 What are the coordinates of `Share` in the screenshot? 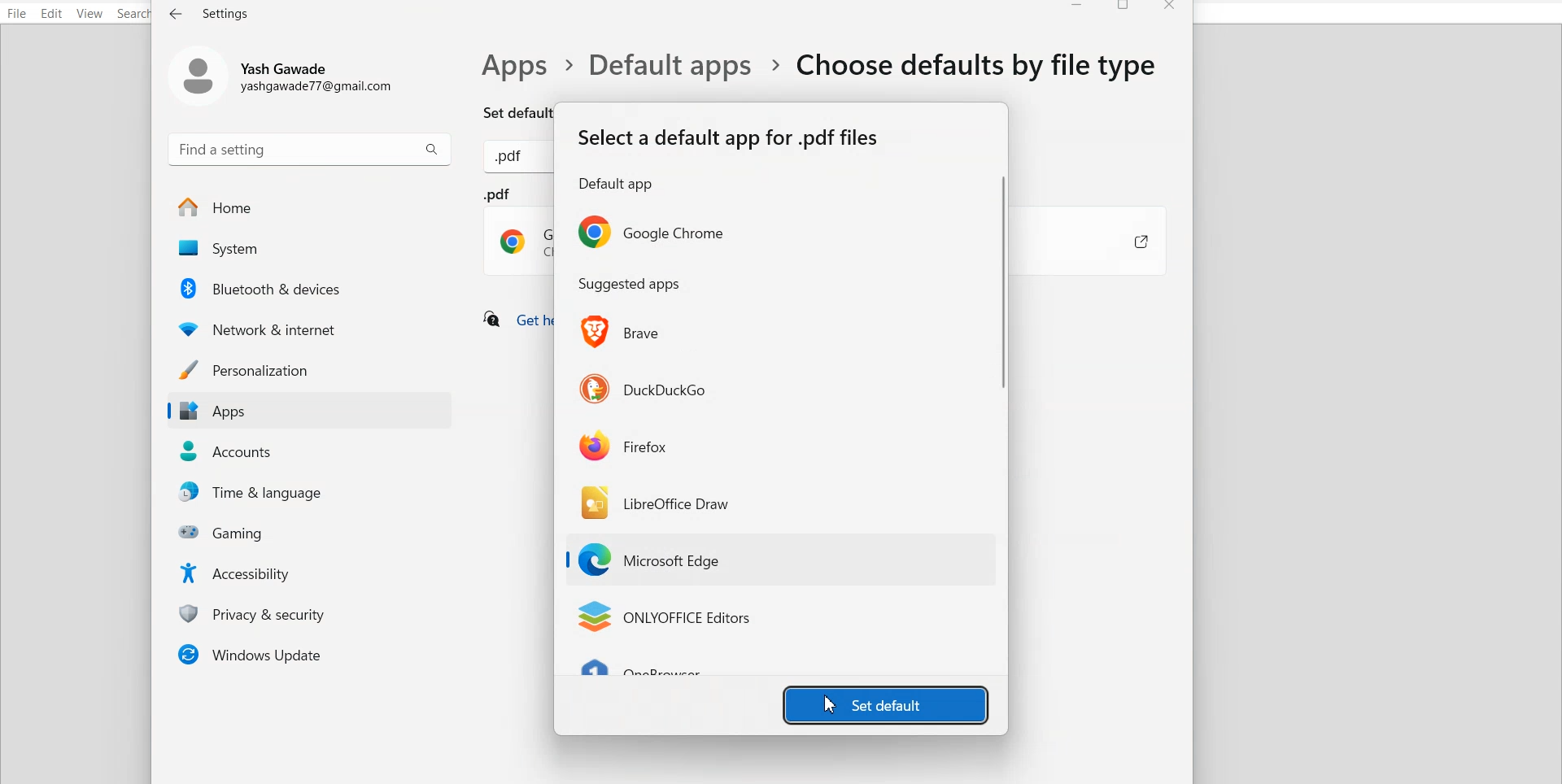 It's located at (1124, 243).